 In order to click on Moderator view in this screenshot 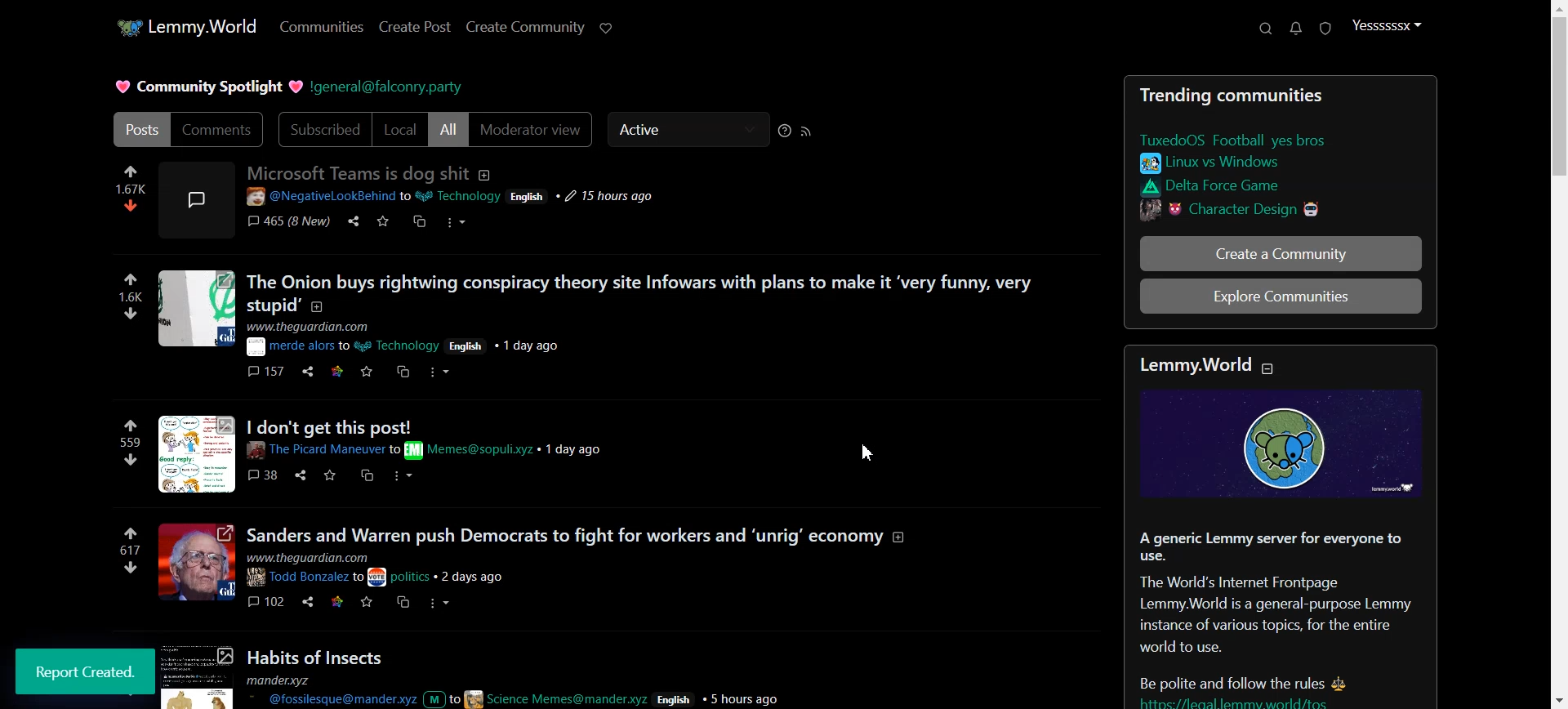, I will do `click(533, 129)`.